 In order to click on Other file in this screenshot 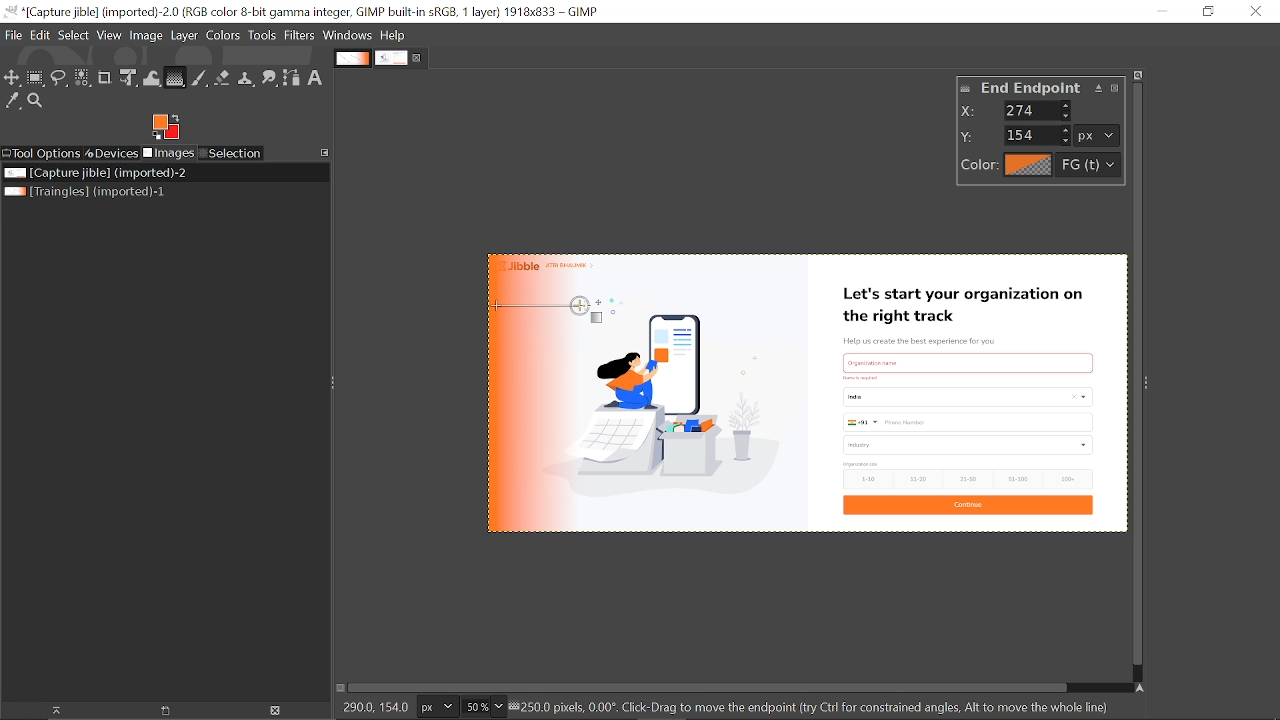, I will do `click(88, 192)`.